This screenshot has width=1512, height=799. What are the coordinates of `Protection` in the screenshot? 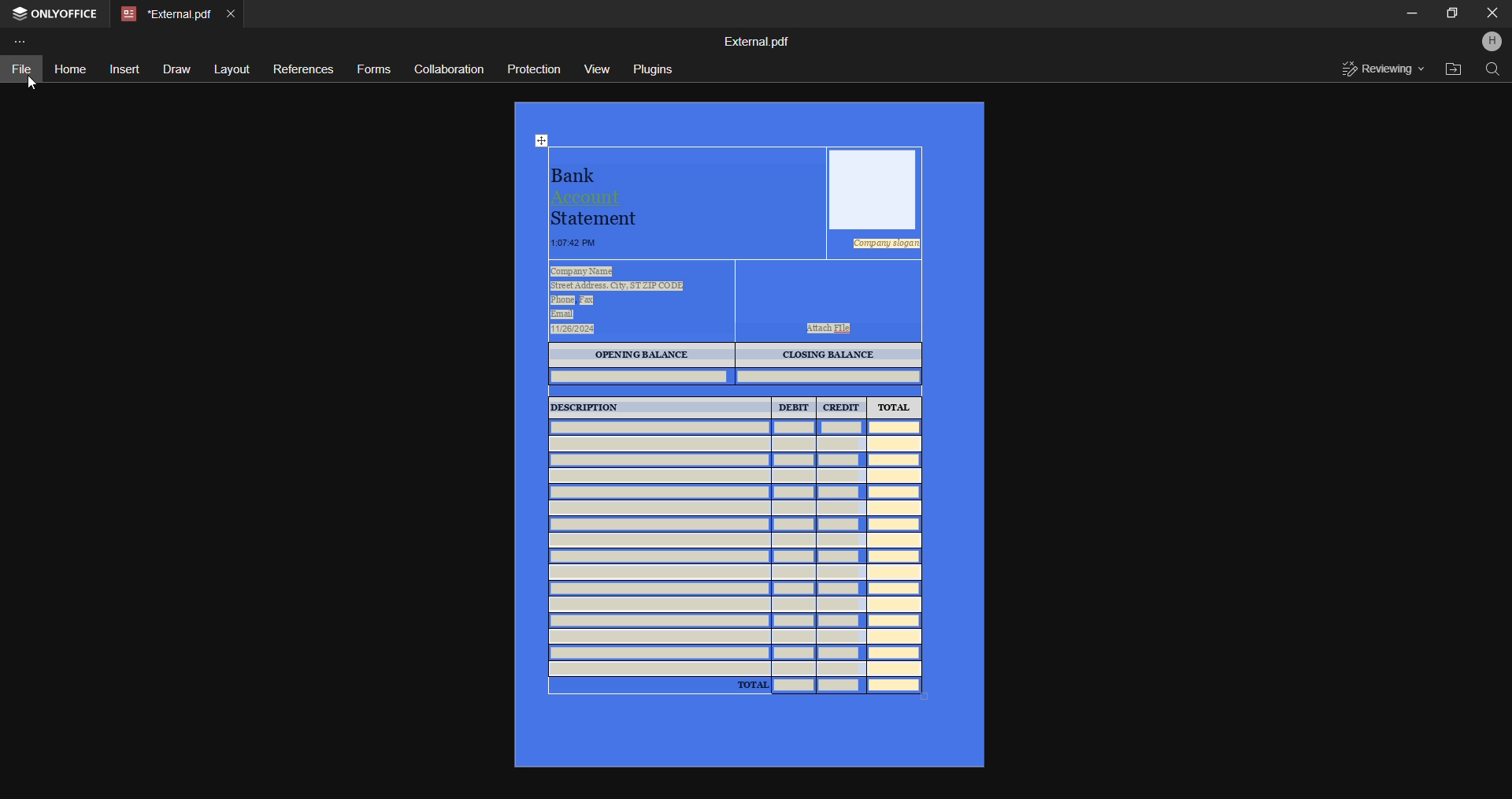 It's located at (531, 69).